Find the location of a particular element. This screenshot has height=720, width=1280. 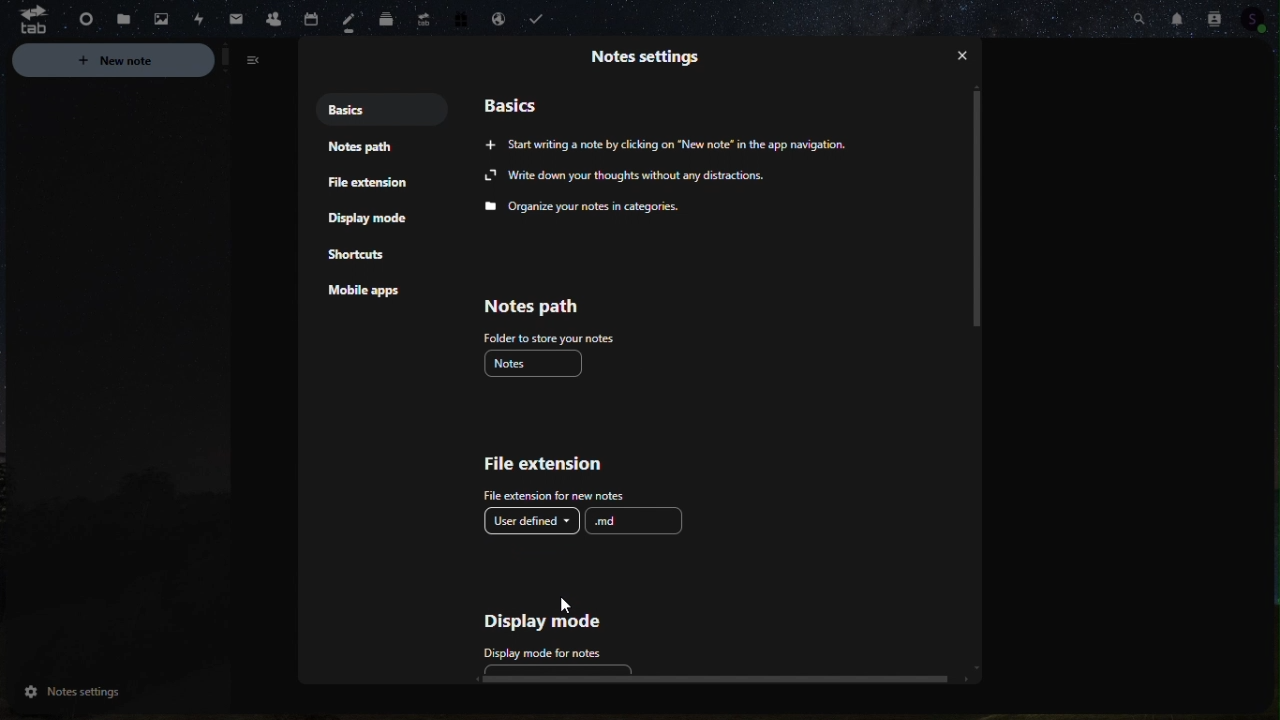

notes path is located at coordinates (357, 149).